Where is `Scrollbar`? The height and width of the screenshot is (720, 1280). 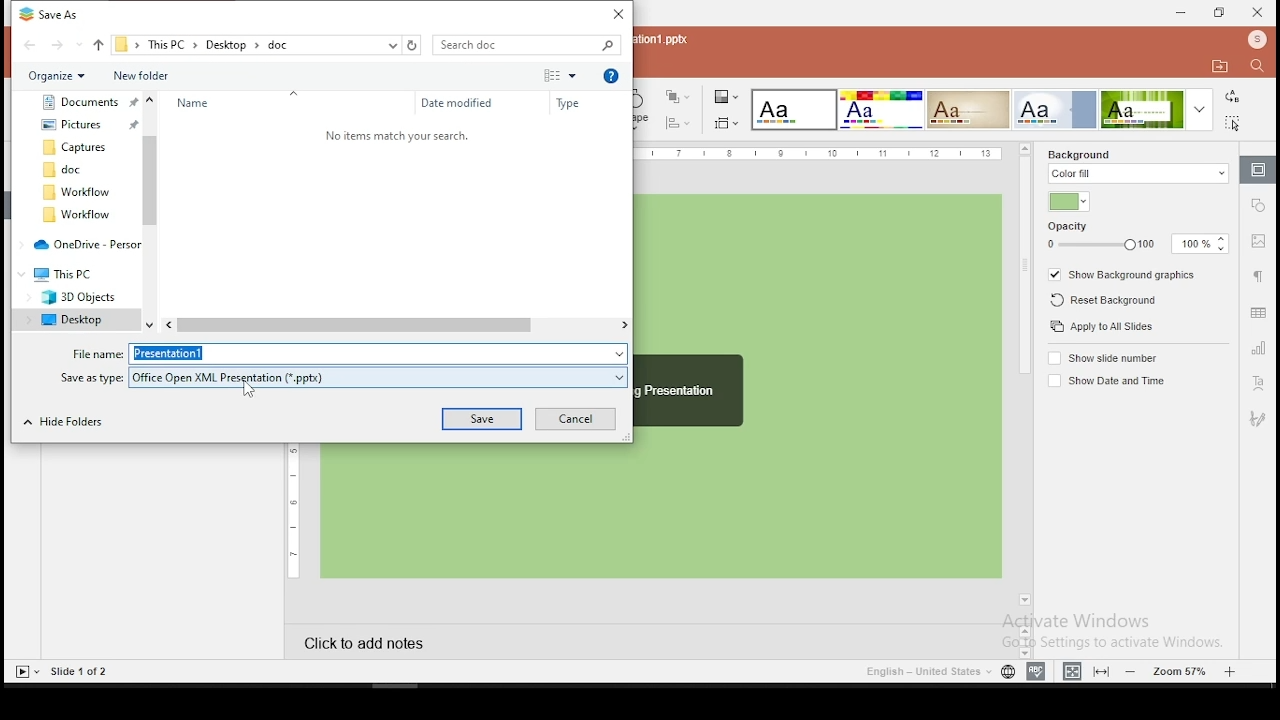
Scrollbar is located at coordinates (1022, 638).